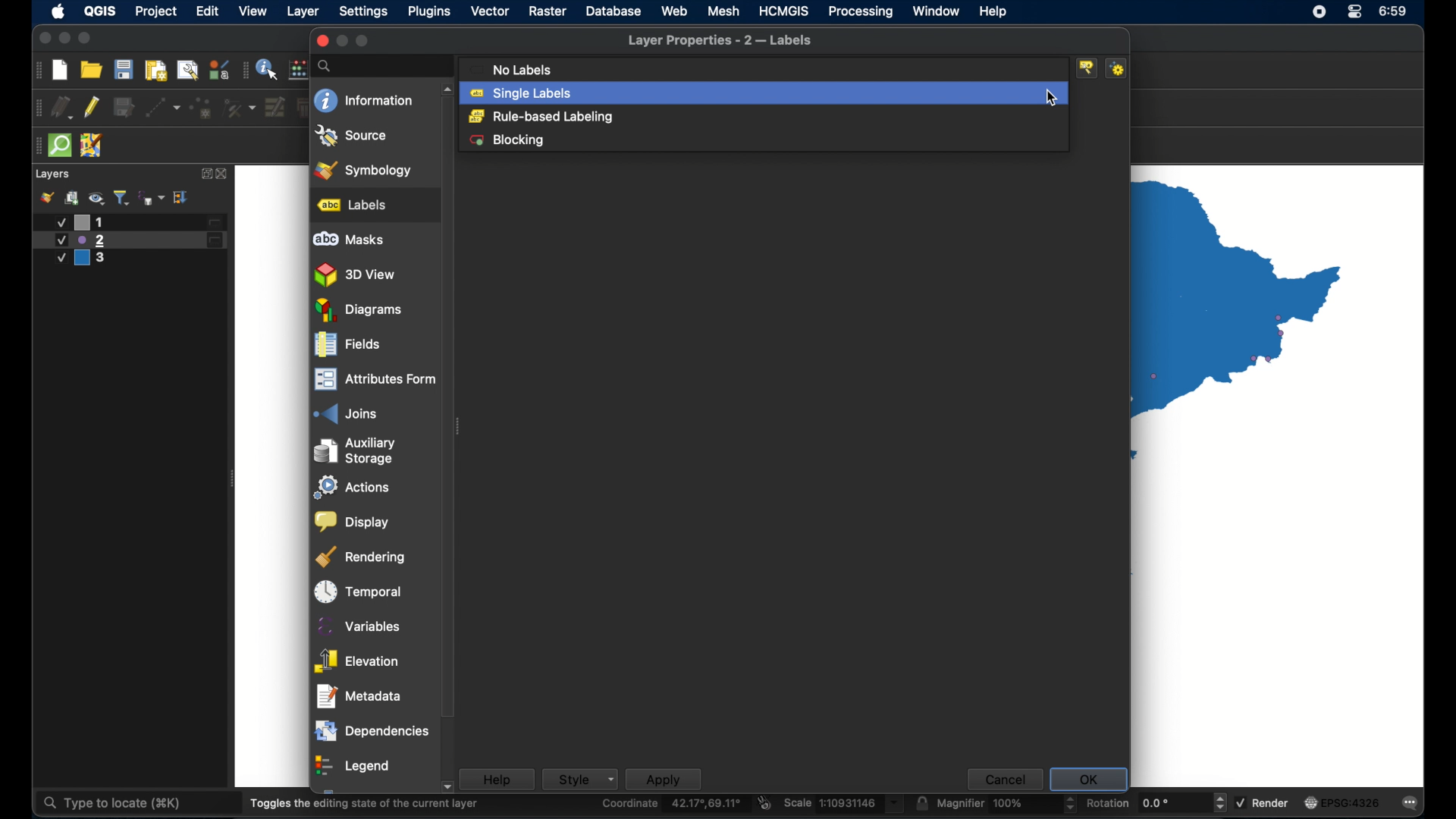  Describe the element at coordinates (357, 275) in the screenshot. I see `3D view` at that location.